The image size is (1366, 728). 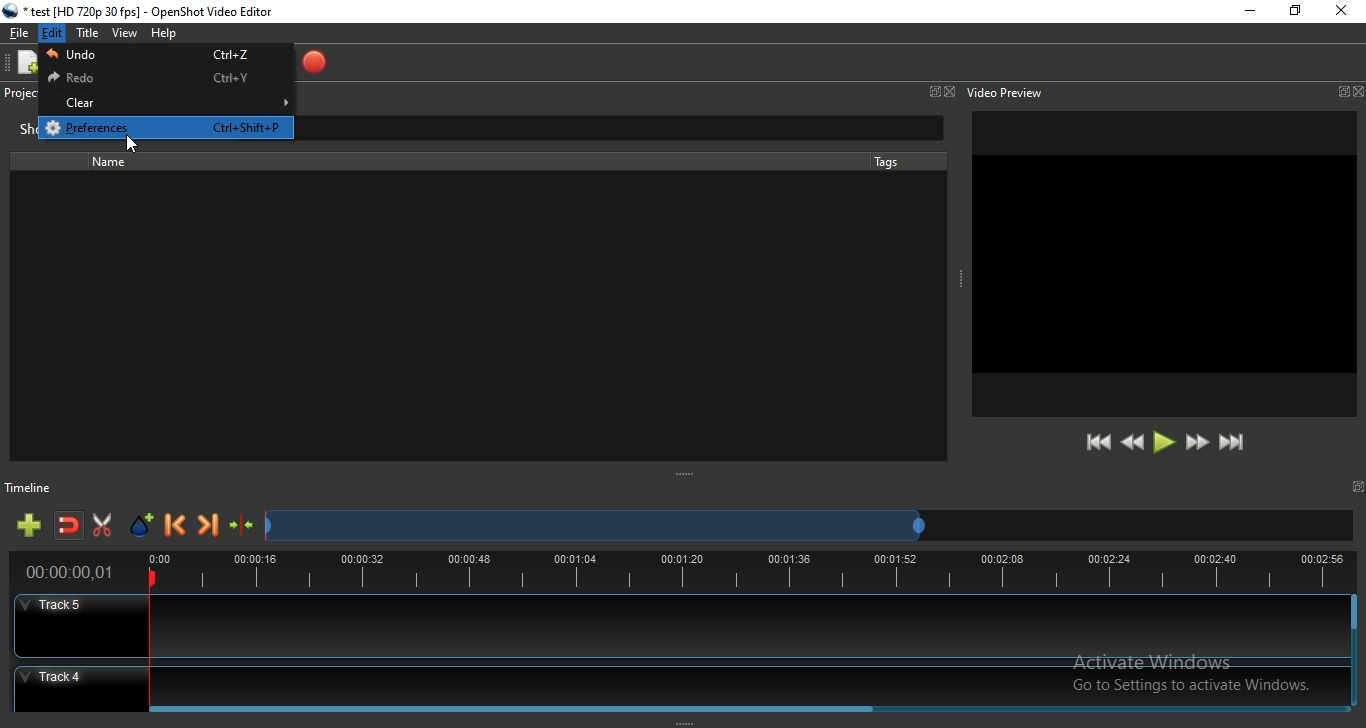 I want to click on Restore, so click(x=1295, y=11).